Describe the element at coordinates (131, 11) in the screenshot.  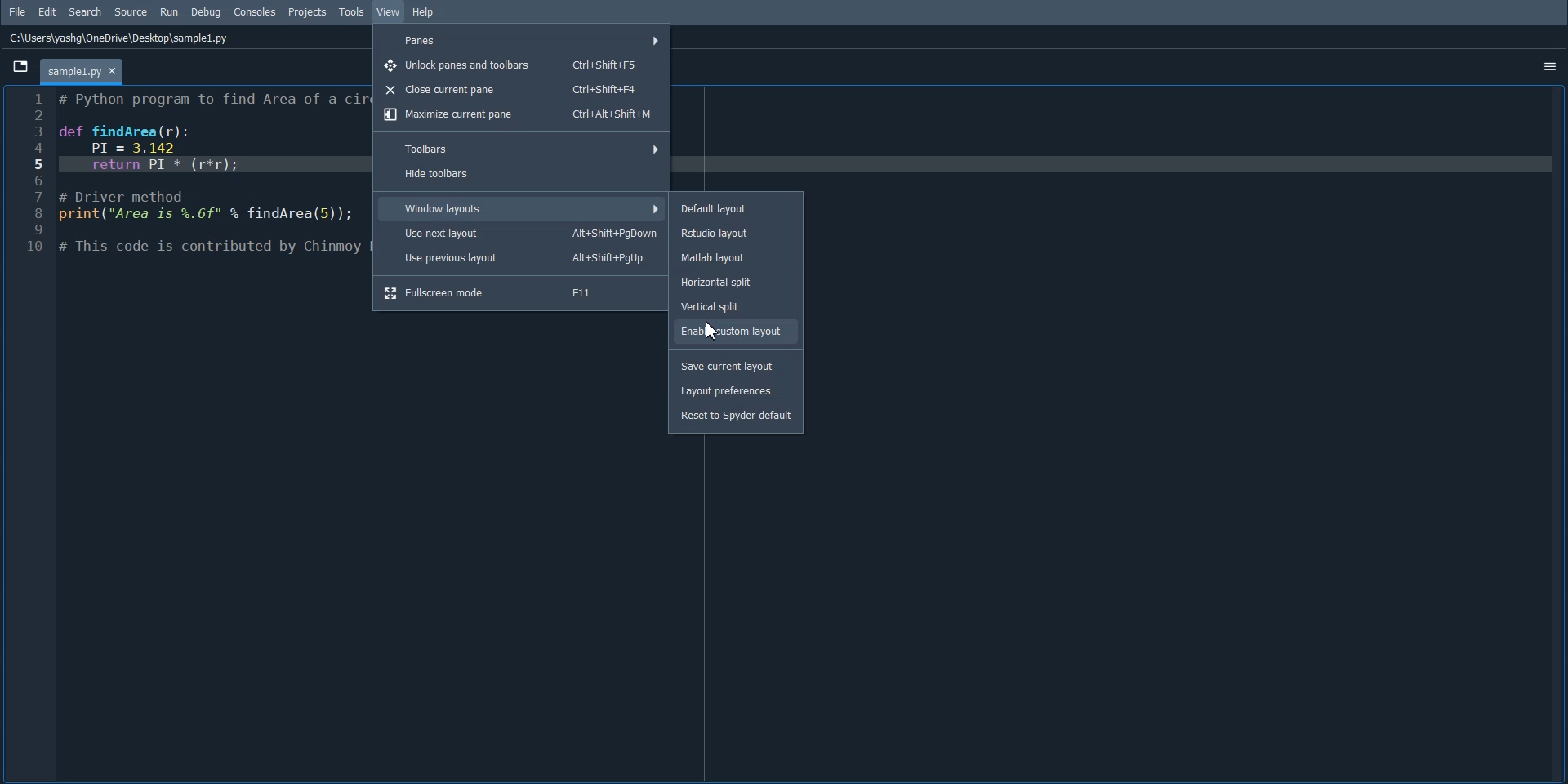
I see `Source` at that location.